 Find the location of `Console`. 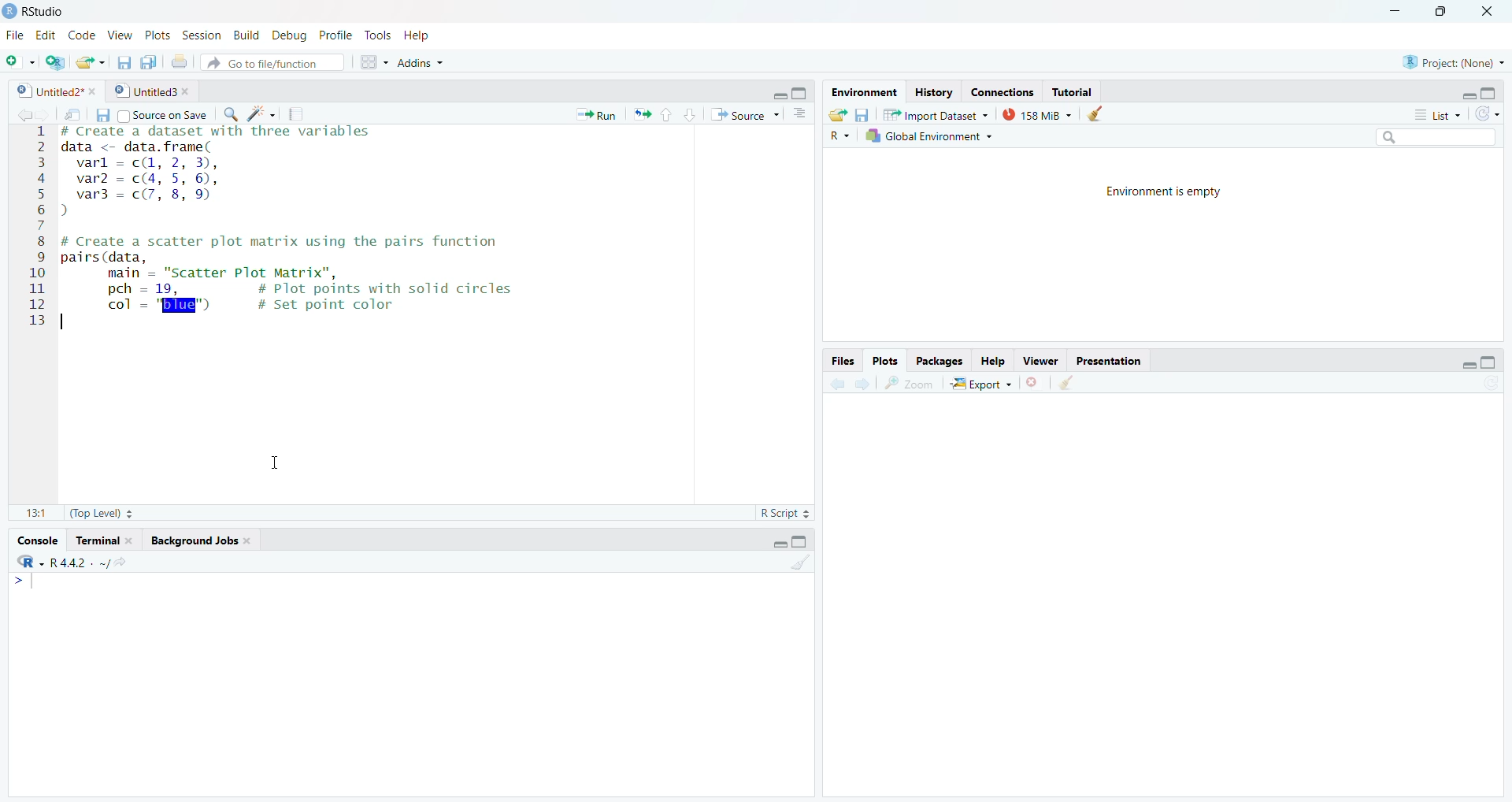

Console is located at coordinates (415, 684).